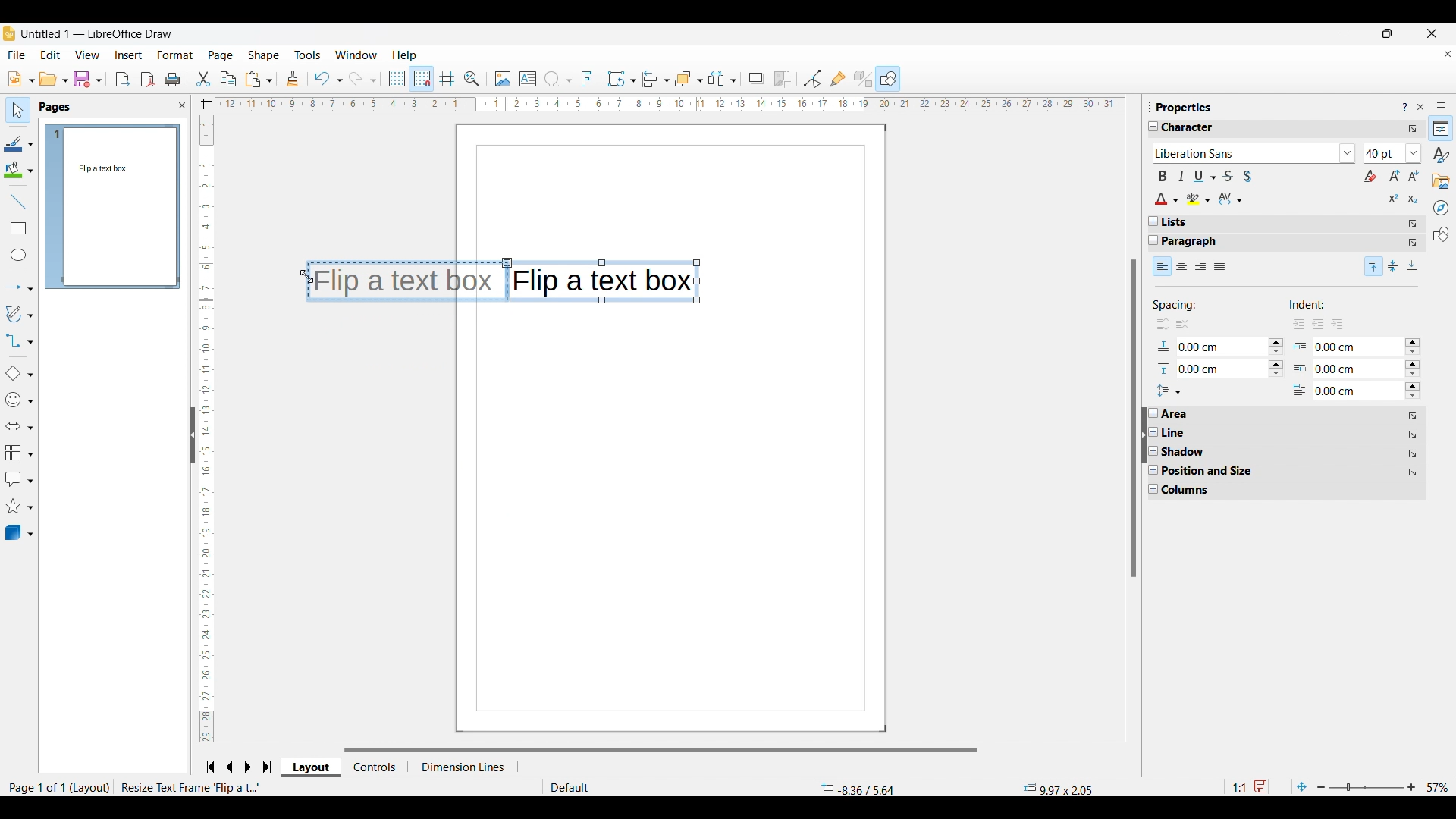 Image resolution: width=1456 pixels, height=819 pixels. What do you see at coordinates (1442, 105) in the screenshot?
I see `Sidebar settings` at bounding box center [1442, 105].